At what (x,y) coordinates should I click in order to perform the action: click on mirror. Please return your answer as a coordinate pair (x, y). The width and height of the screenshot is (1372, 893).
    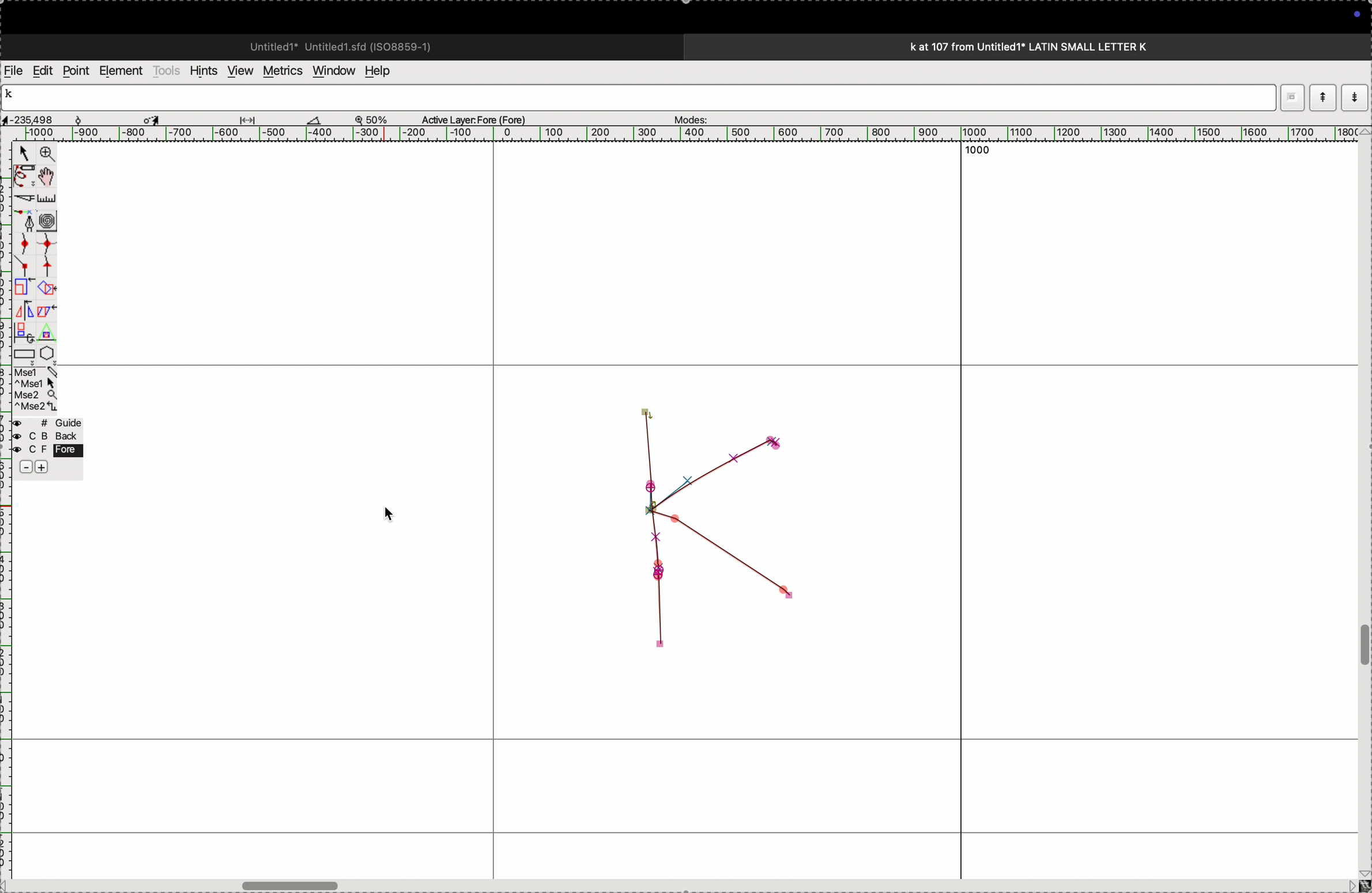
    Looking at the image, I should click on (24, 320).